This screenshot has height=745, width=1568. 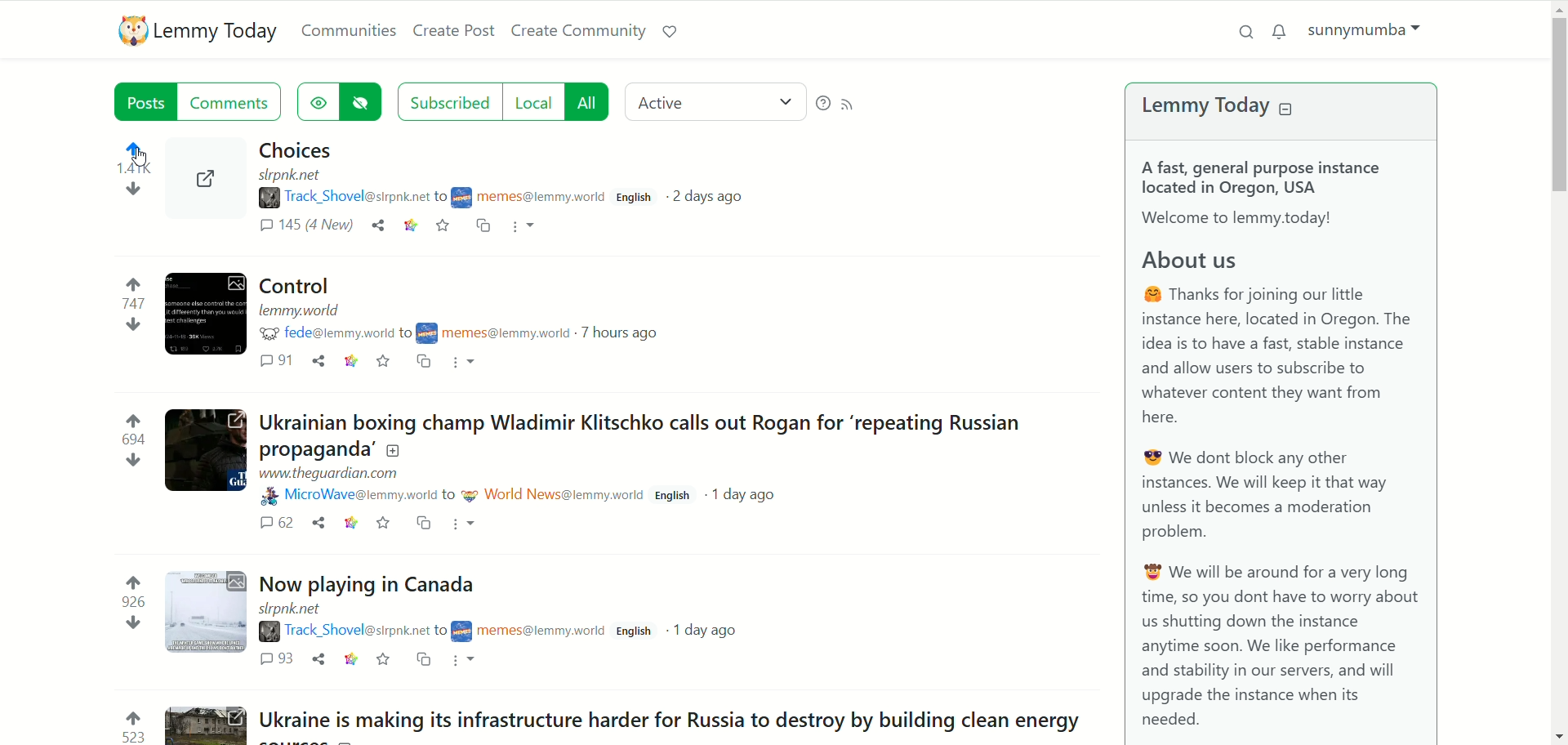 I want to click on Thumbnail, so click(x=210, y=725).